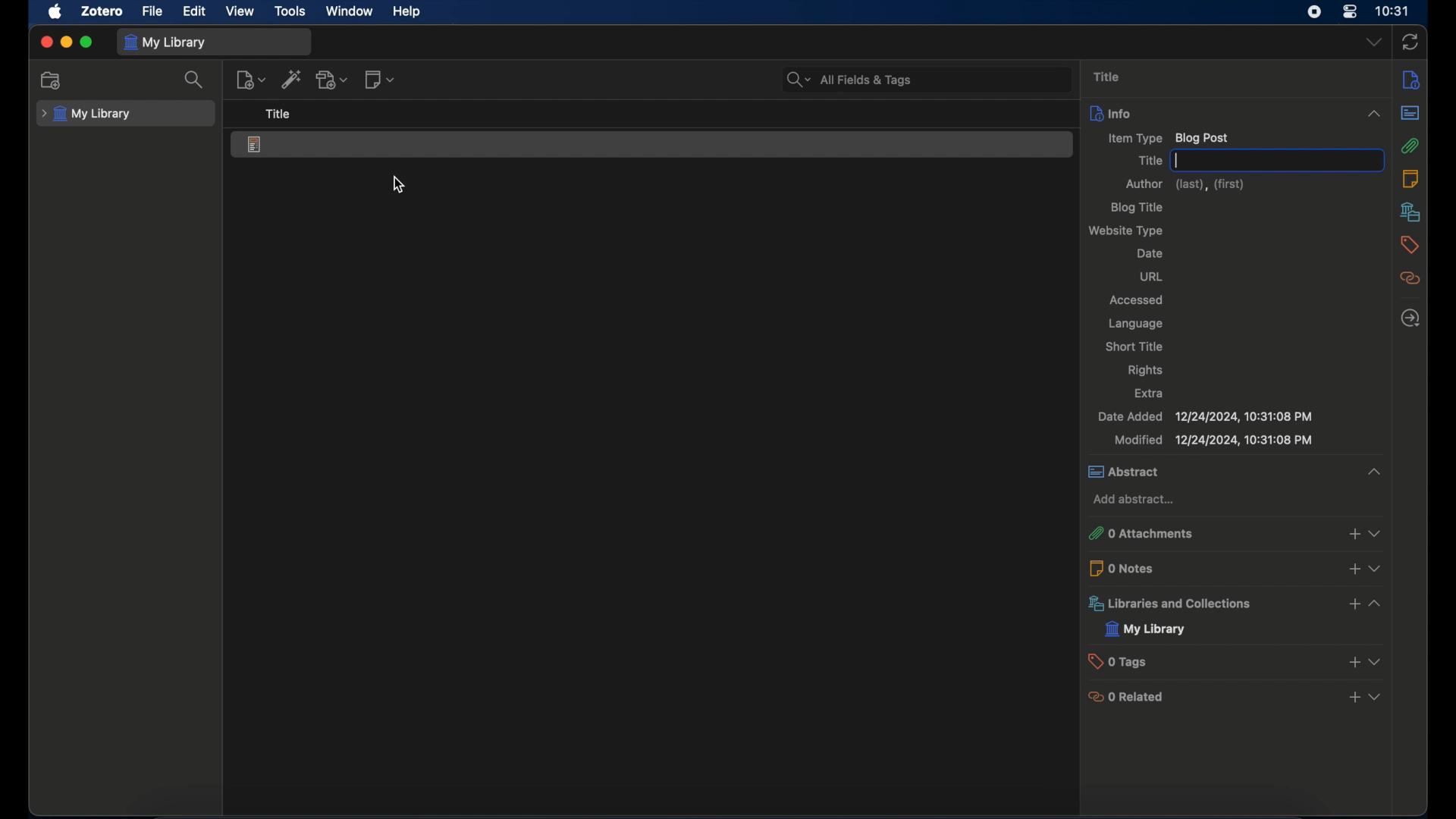 The width and height of the screenshot is (1456, 819). What do you see at coordinates (1411, 278) in the screenshot?
I see `related` at bounding box center [1411, 278].